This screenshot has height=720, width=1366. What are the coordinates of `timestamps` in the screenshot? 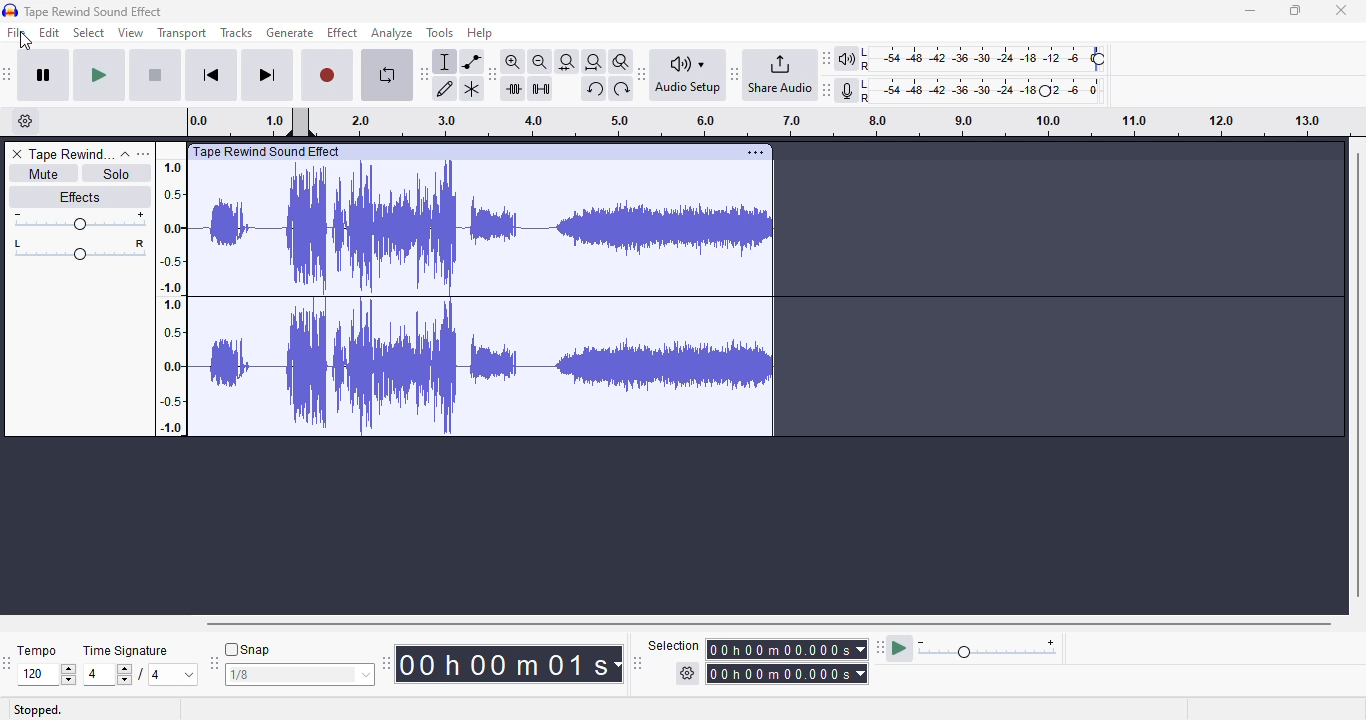 It's located at (170, 296).